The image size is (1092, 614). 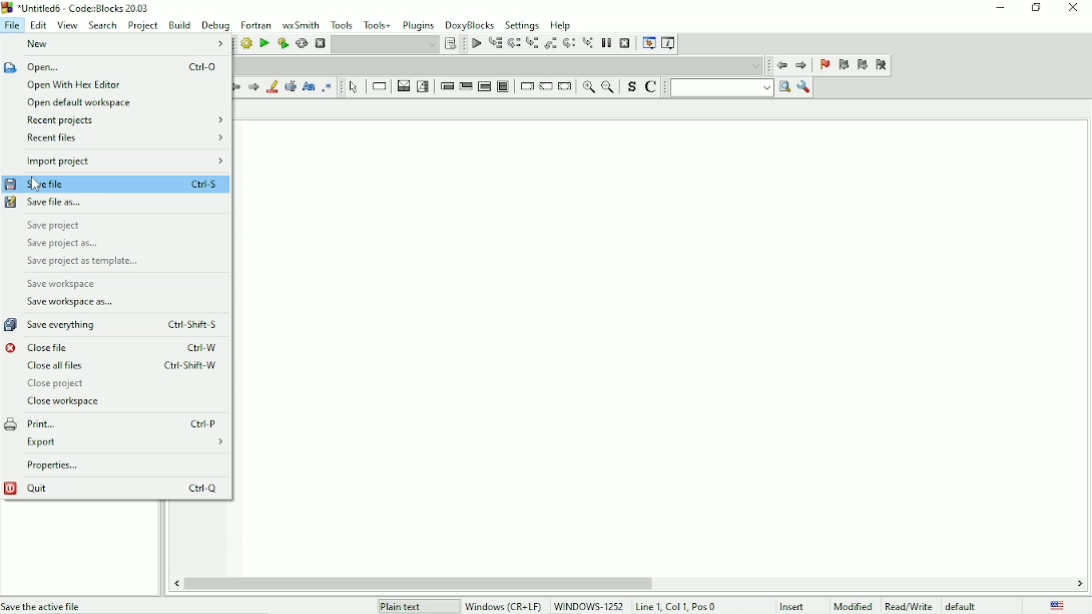 I want to click on View, so click(x=67, y=24).